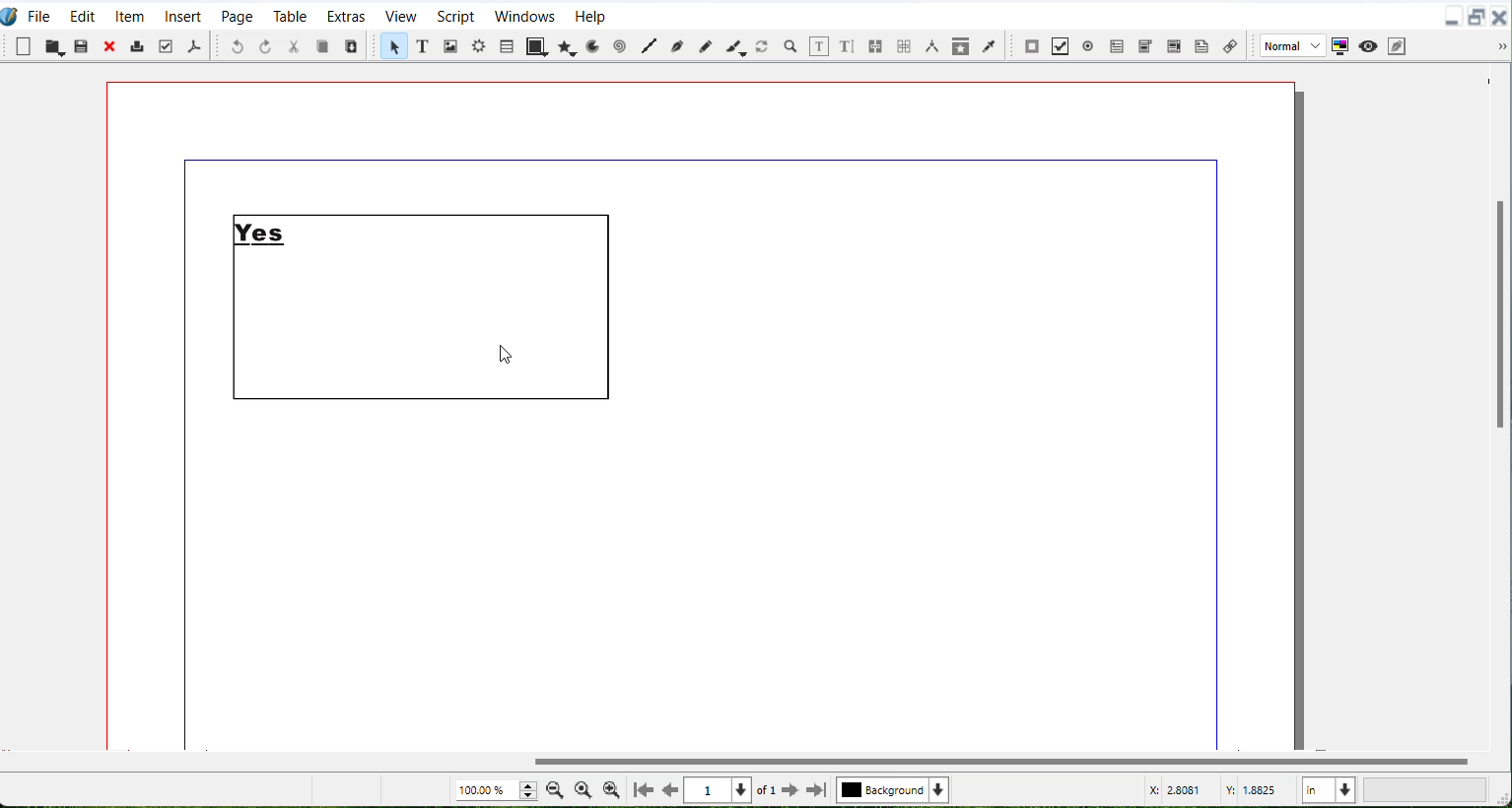 Image resolution: width=1512 pixels, height=808 pixels. I want to click on Go to last page, so click(817, 790).